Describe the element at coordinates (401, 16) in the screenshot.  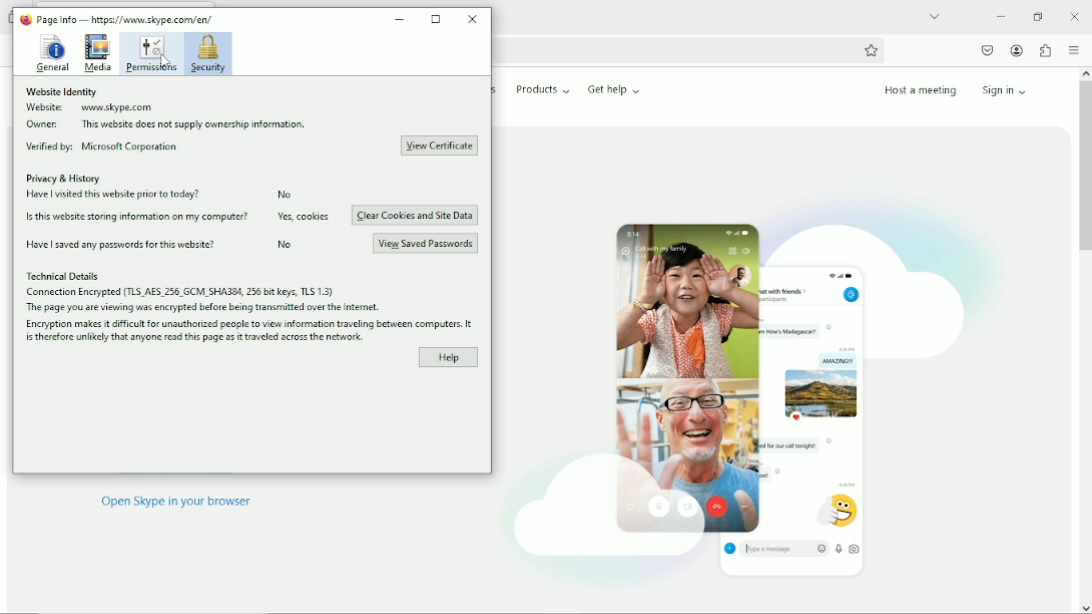
I see `Minimize` at that location.